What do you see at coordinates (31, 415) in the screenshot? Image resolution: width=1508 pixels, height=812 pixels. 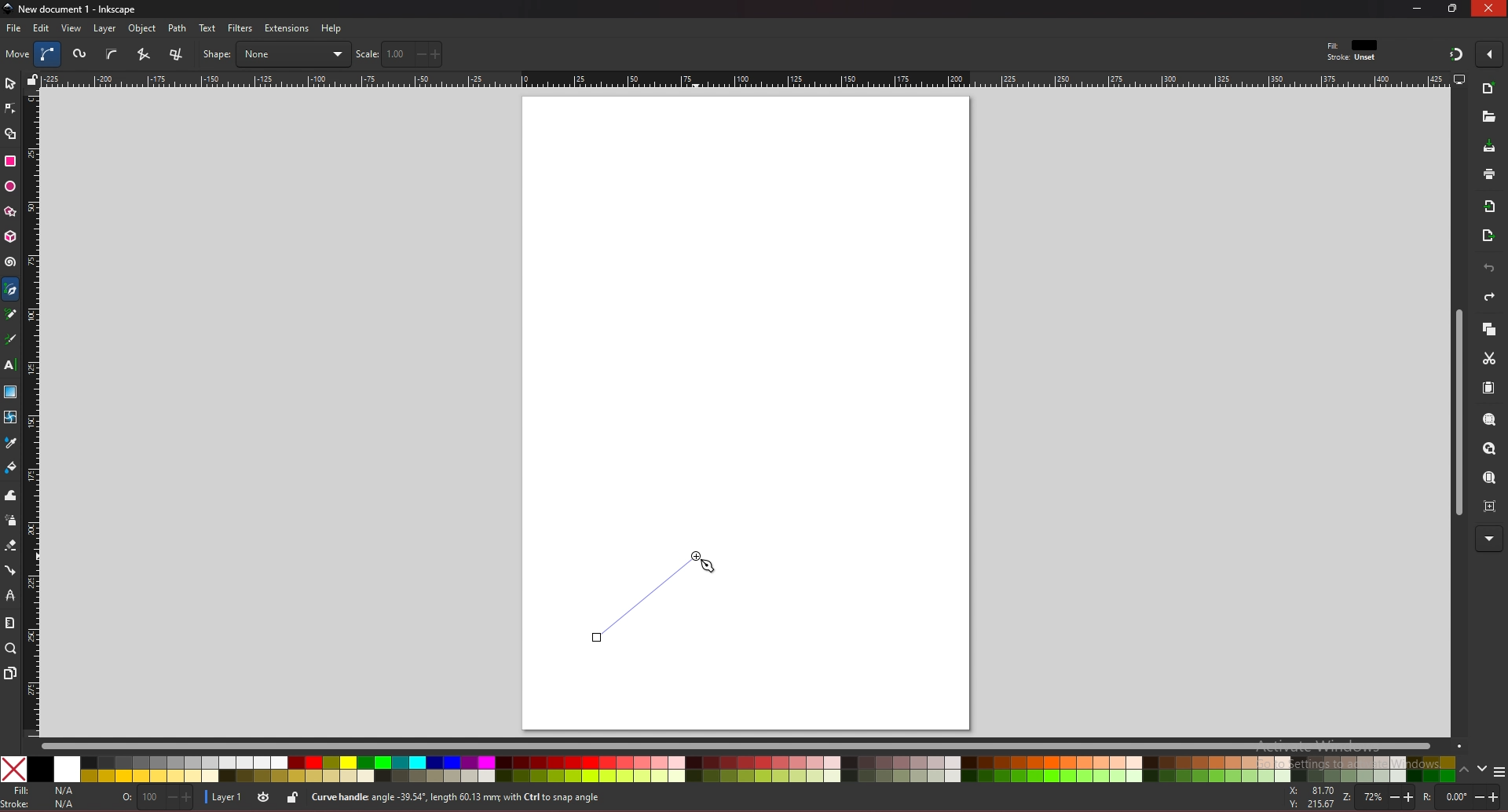 I see `vertical rule` at bounding box center [31, 415].